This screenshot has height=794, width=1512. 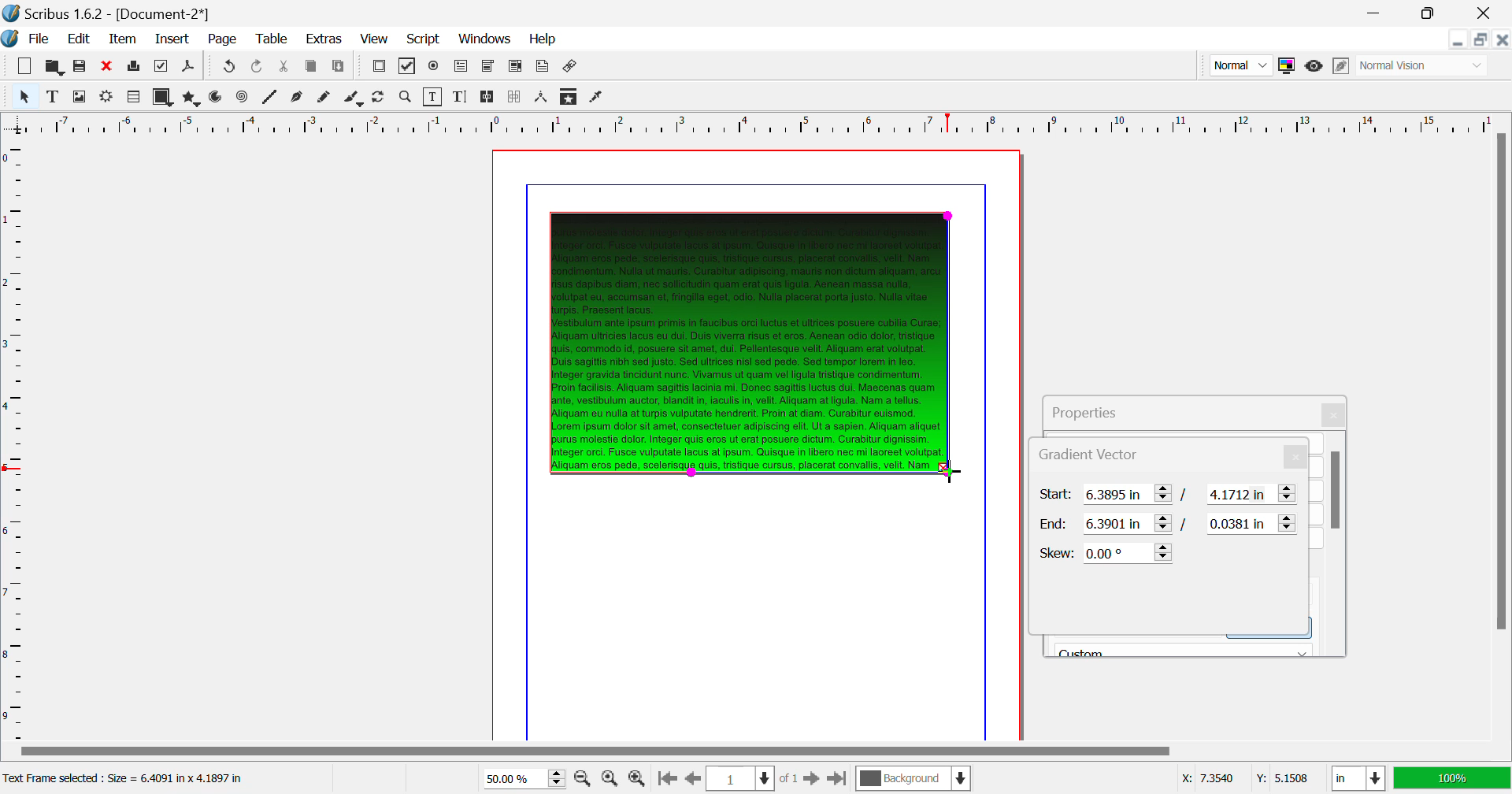 What do you see at coordinates (570, 96) in the screenshot?
I see `Copy Item Properties` at bounding box center [570, 96].